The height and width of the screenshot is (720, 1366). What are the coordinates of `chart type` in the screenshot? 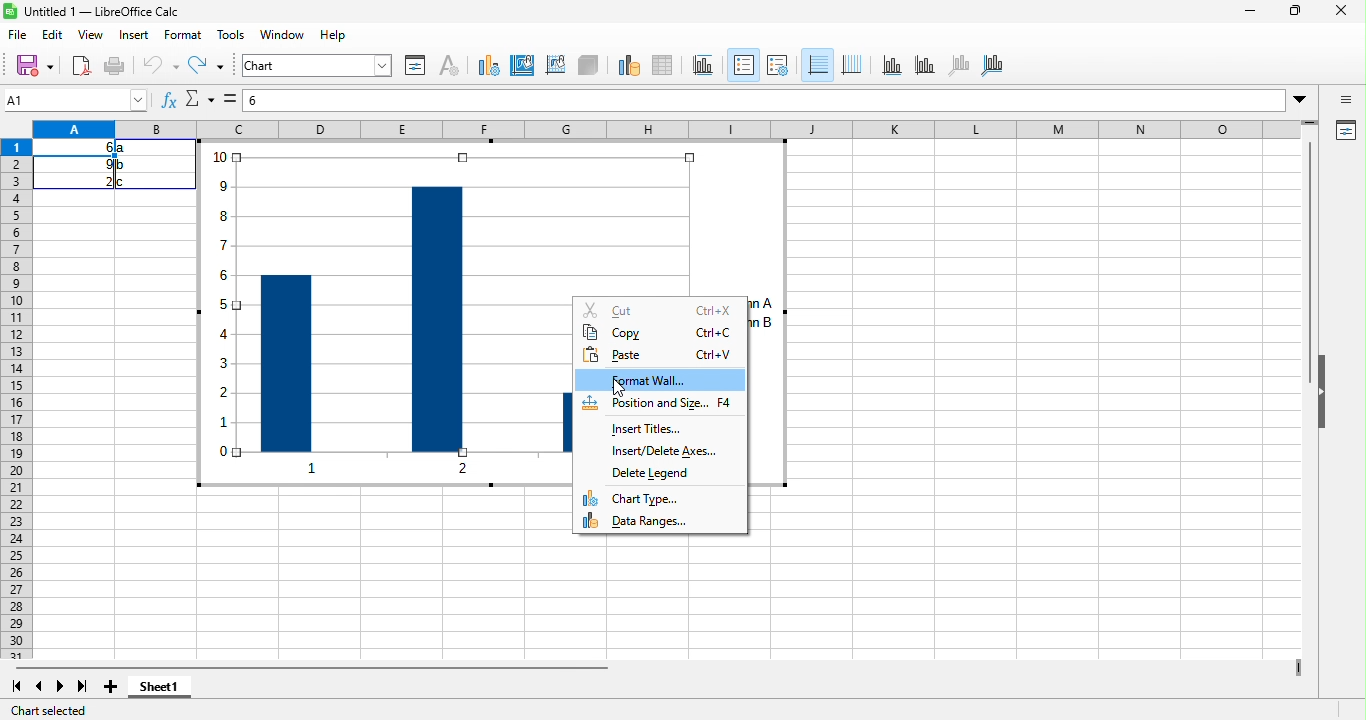 It's located at (636, 498).